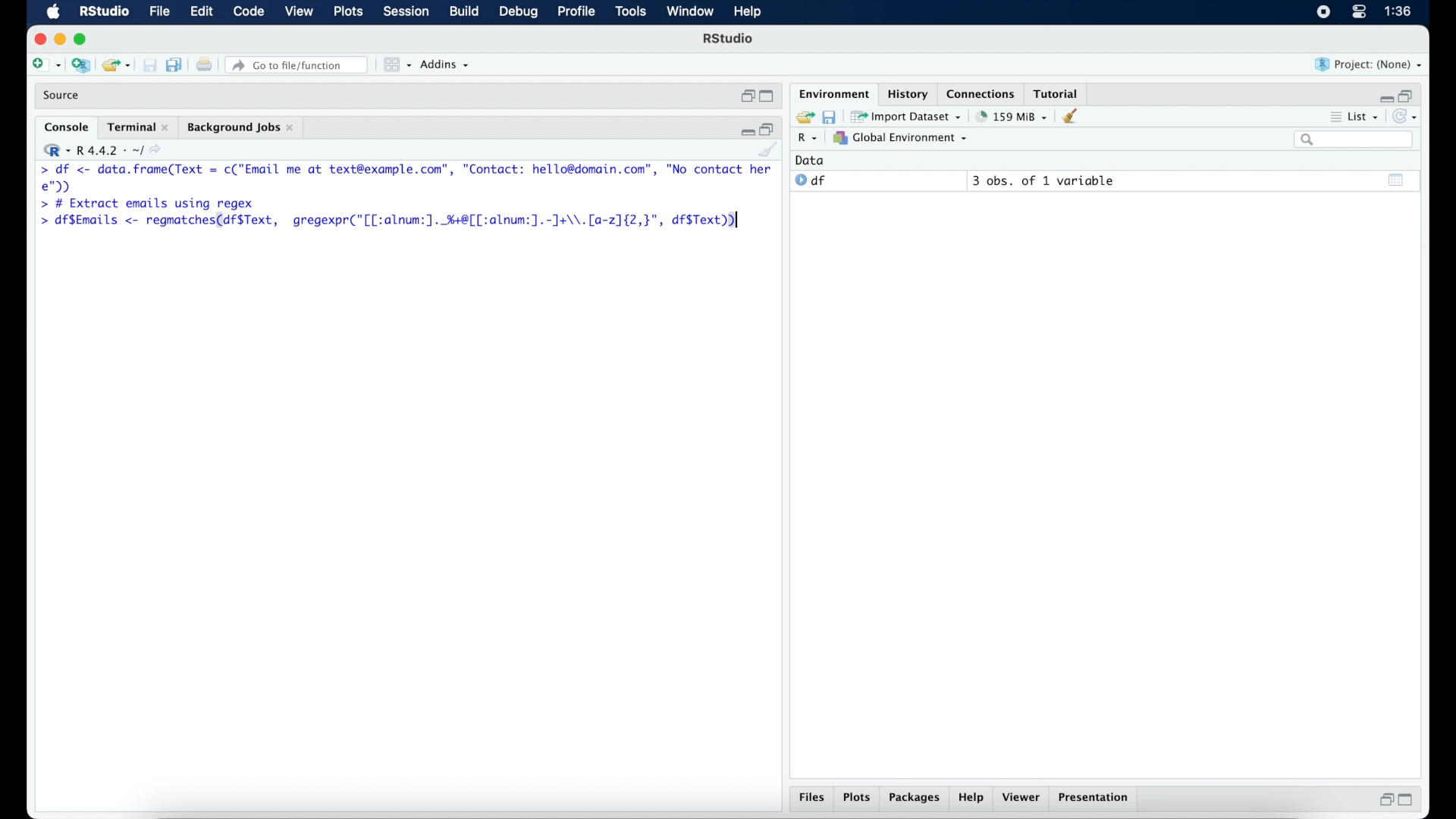 The image size is (1456, 819). I want to click on restore down, so click(1385, 802).